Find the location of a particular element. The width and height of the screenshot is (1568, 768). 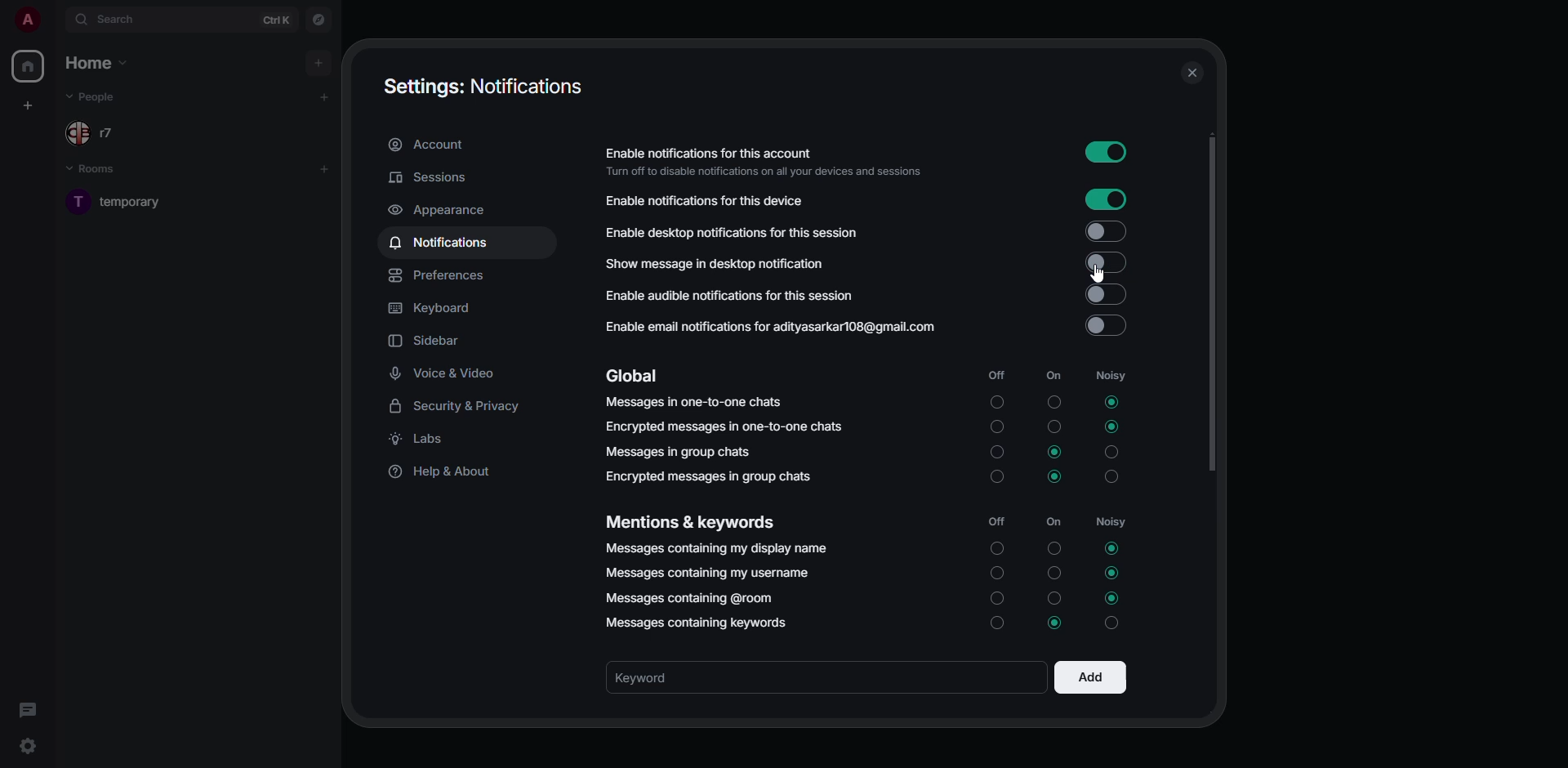

settings notifications is located at coordinates (483, 86).